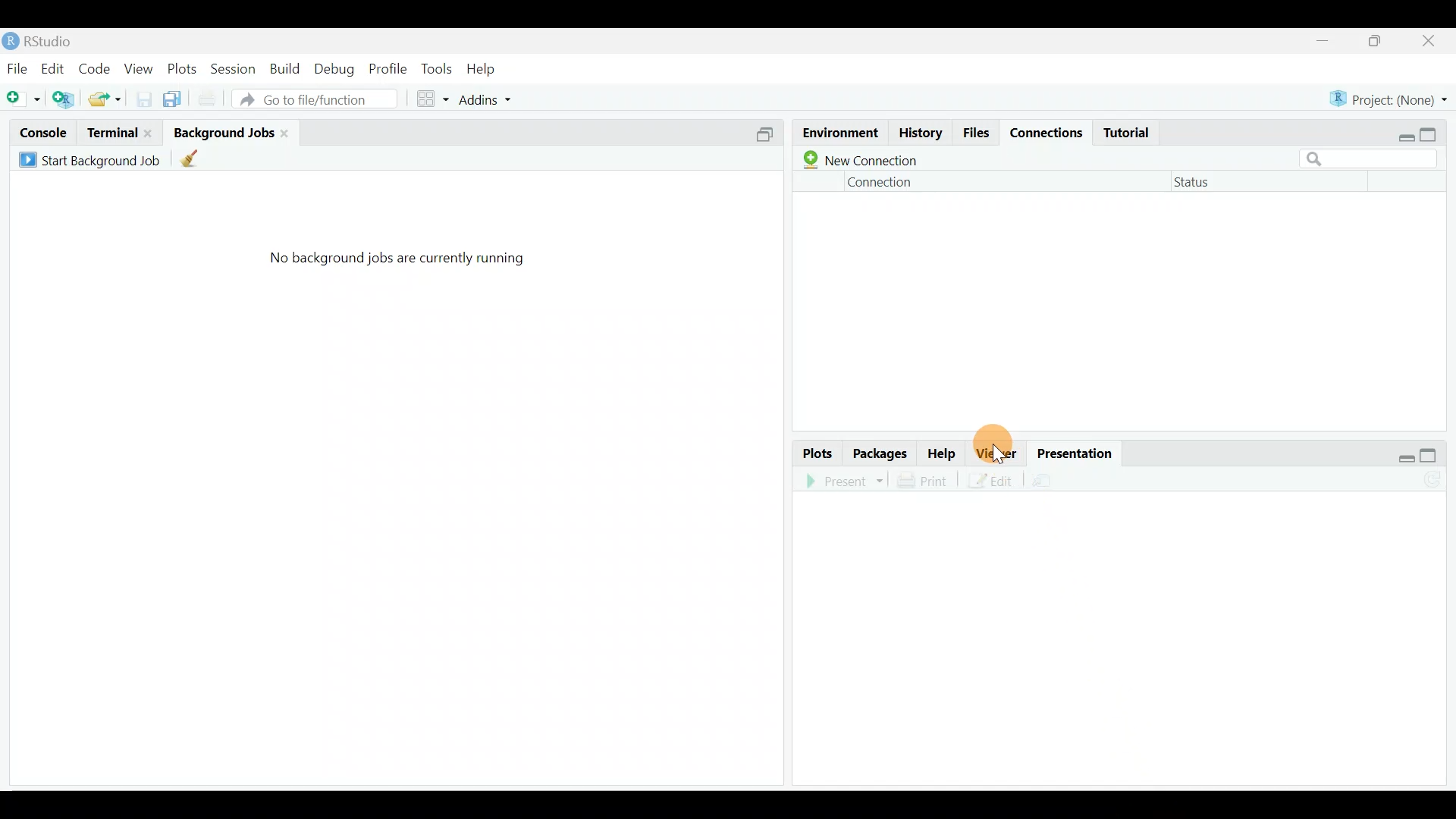  What do you see at coordinates (390, 68) in the screenshot?
I see `Profile` at bounding box center [390, 68].